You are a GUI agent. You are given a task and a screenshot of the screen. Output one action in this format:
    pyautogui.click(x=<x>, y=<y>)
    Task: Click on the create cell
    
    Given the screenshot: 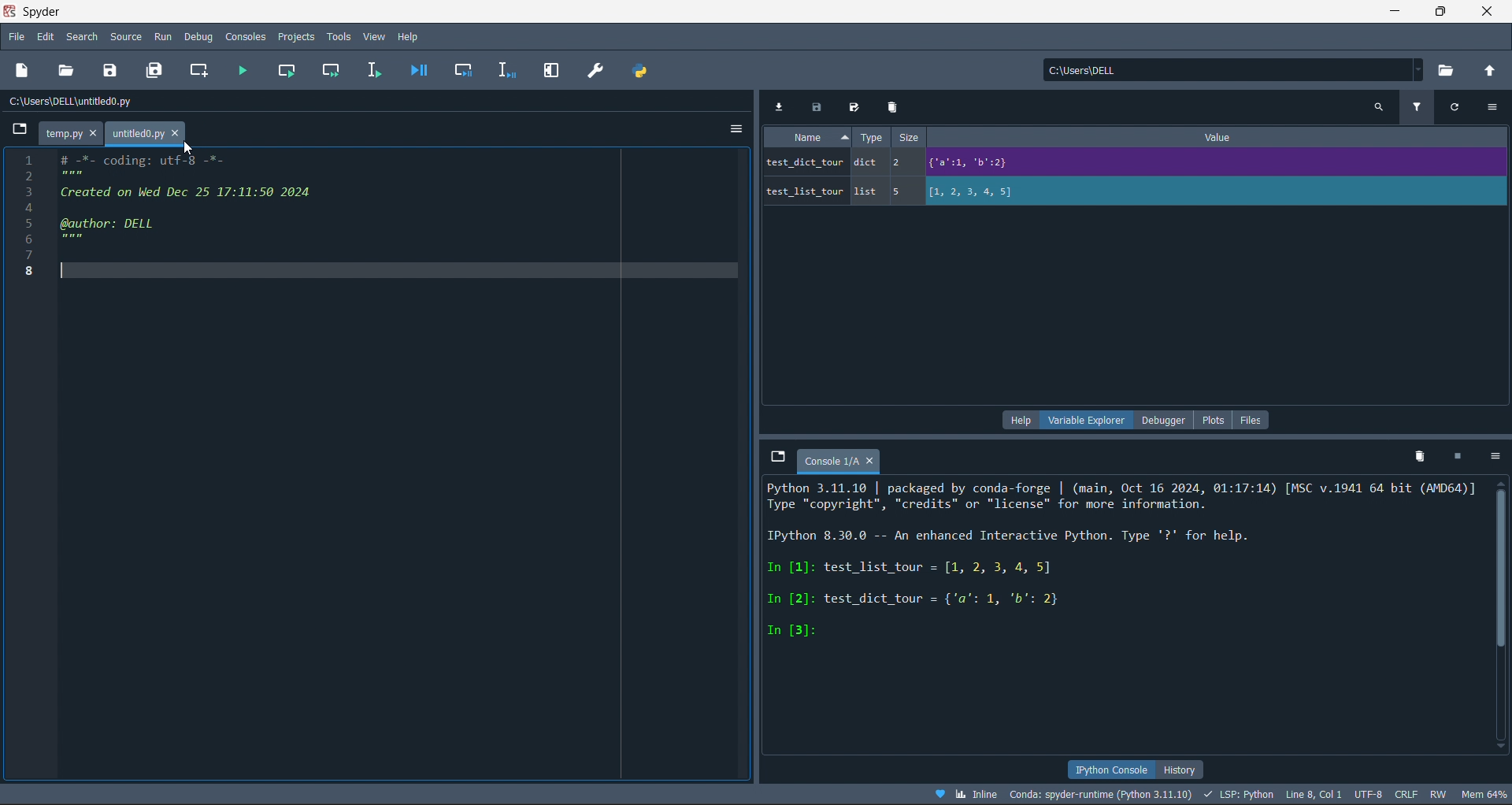 What is the action you would take?
    pyautogui.click(x=198, y=69)
    